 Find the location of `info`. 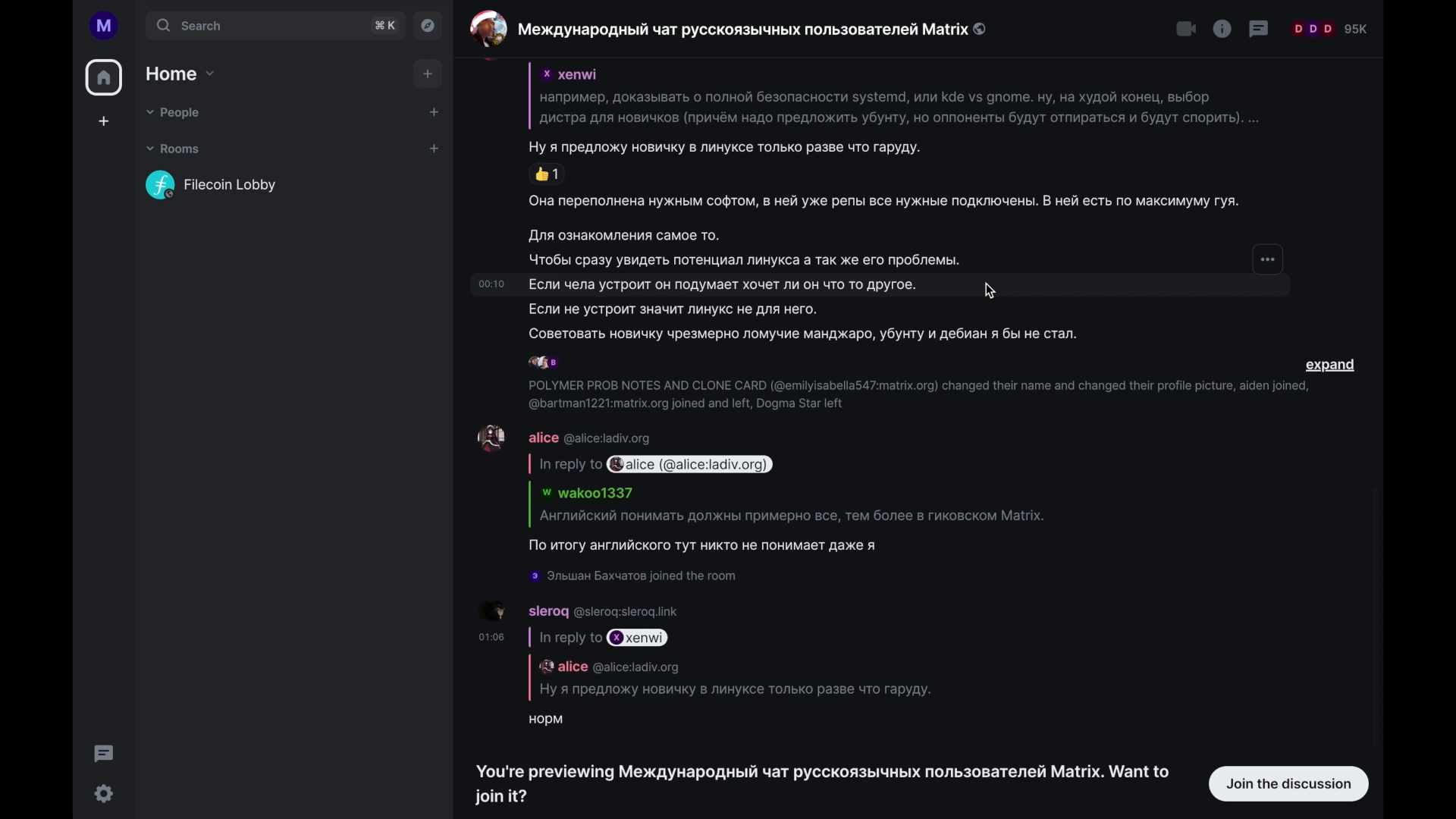

info is located at coordinates (1222, 28).